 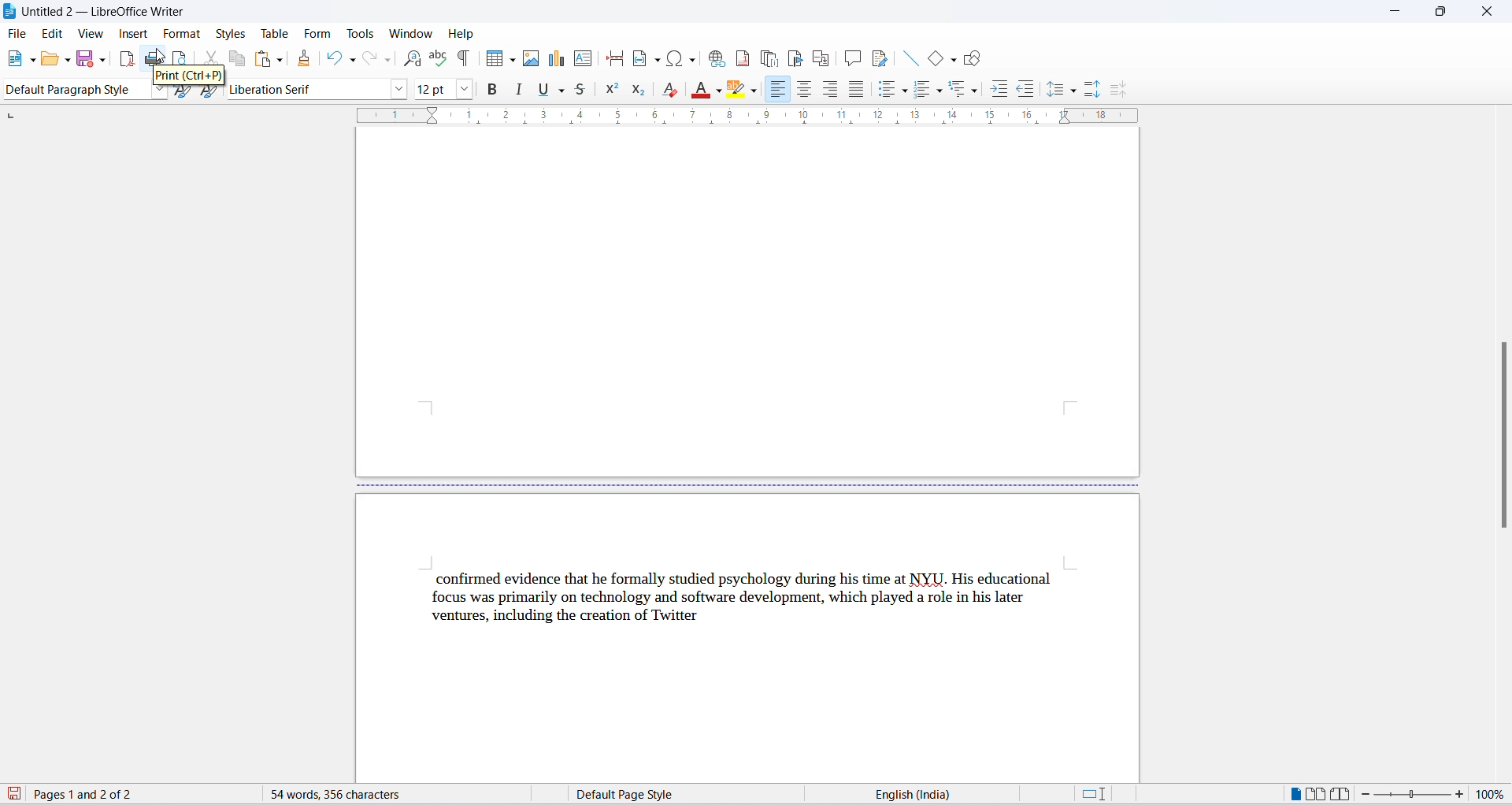 I want to click on multipage view, so click(x=1317, y=793).